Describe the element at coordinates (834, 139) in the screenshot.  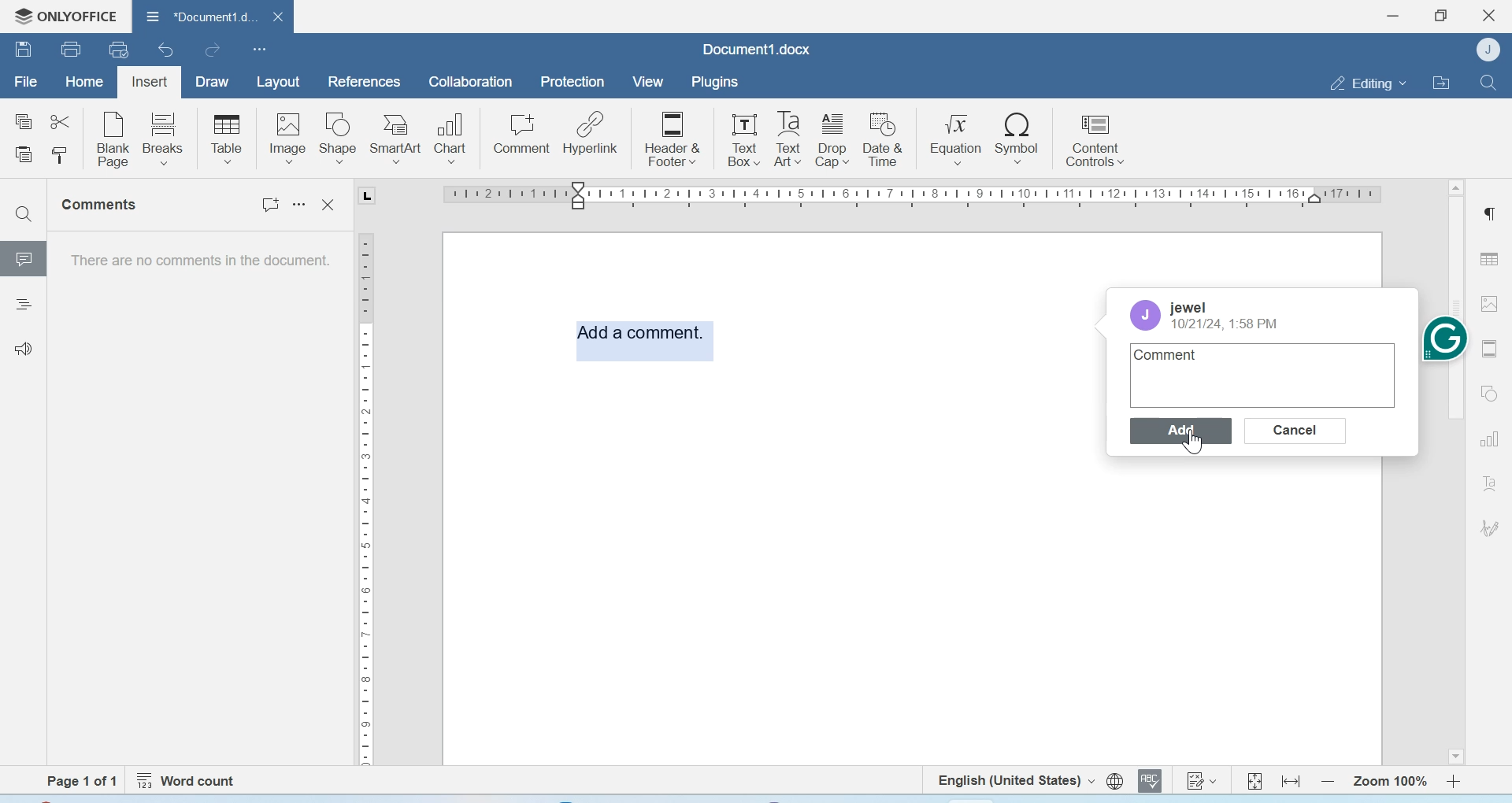
I see `Drop cafe` at that location.